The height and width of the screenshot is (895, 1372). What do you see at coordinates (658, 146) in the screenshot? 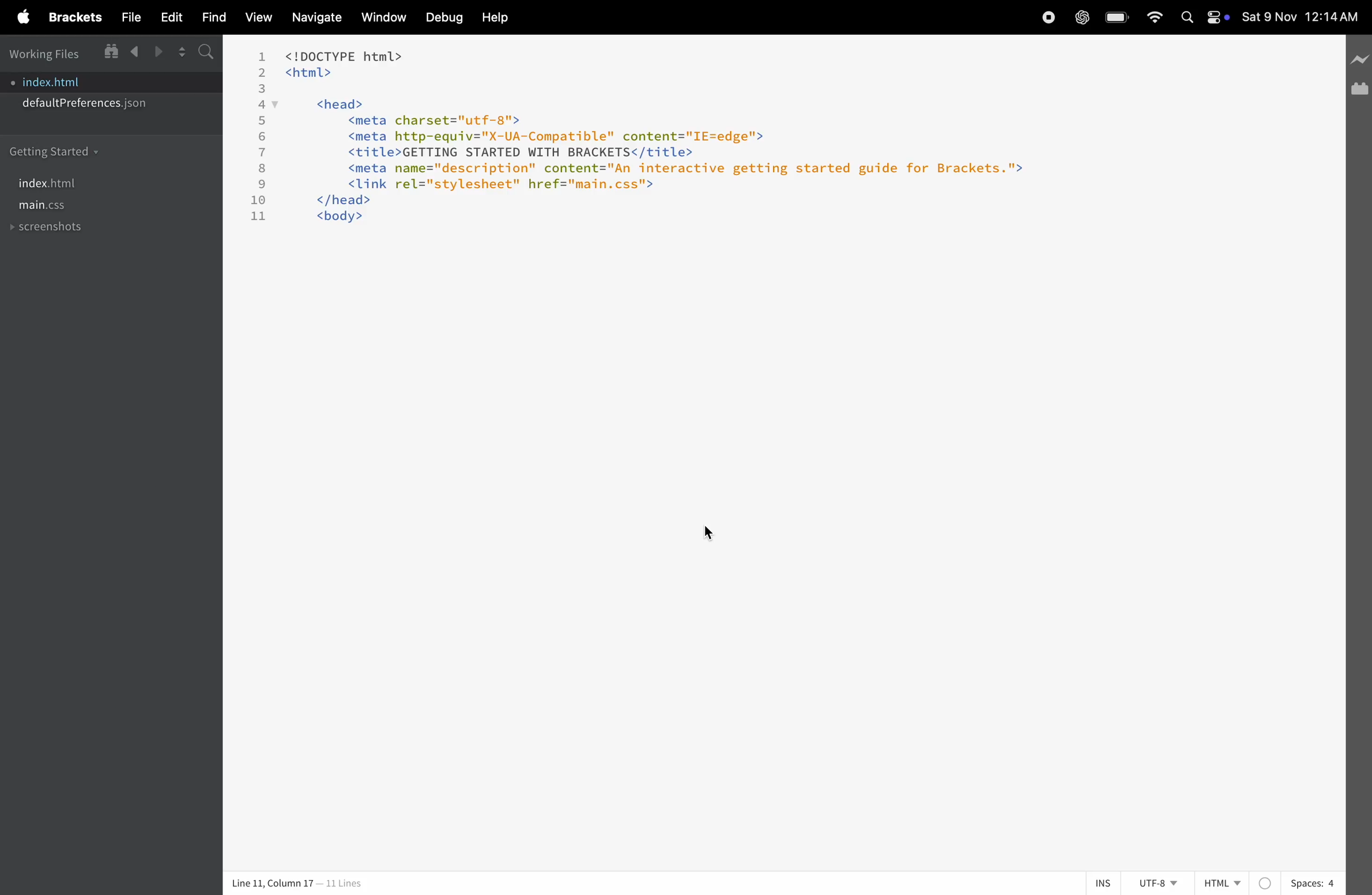
I see `<!DOCTYPE html>
<html>
<head>
<meta charset="utf-8">
<meta http-equiv="X-UA-Compatible" content="IE=edge">
<title>GETTING STARTED WITH BRACKETS</title>
<meta name="description" content="An interactive getting started guide for Brackets.">
<link rel="stylesheet" href="main.css">
</head>
<body>` at bounding box center [658, 146].